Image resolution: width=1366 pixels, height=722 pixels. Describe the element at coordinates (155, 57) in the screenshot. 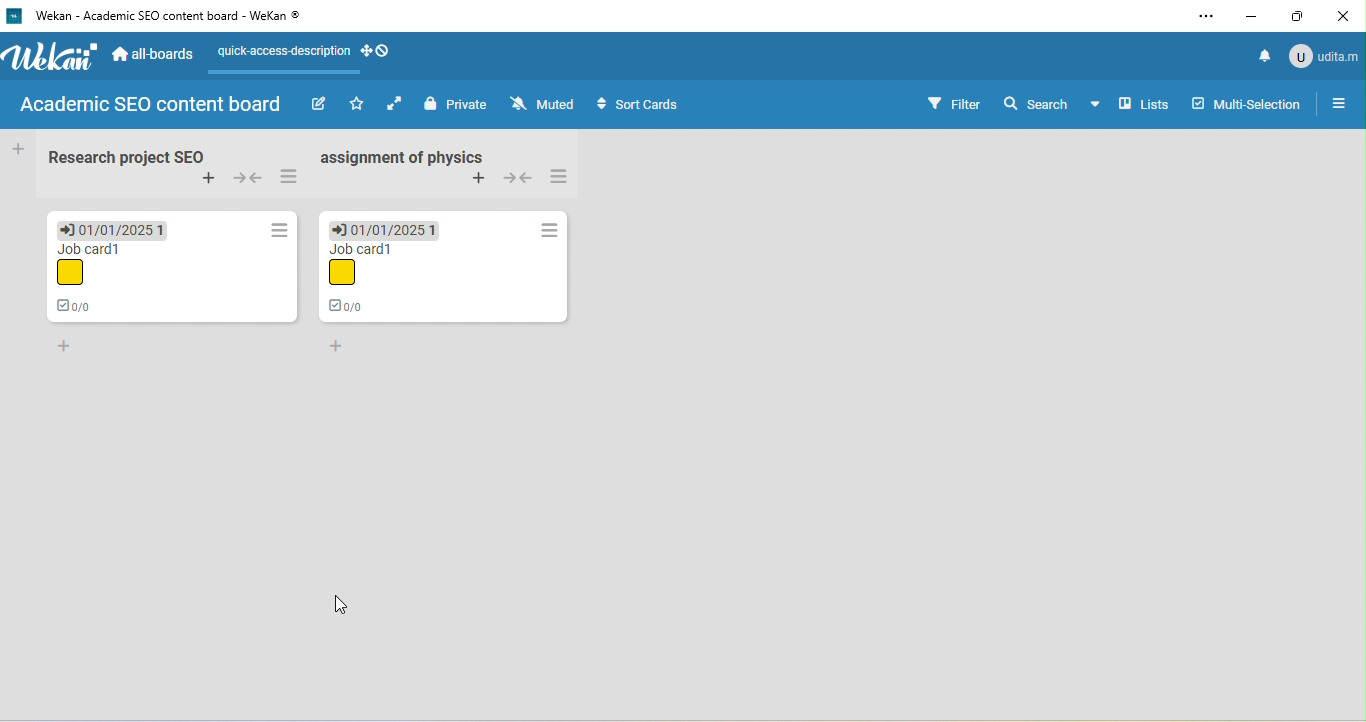

I see `all boards` at that location.